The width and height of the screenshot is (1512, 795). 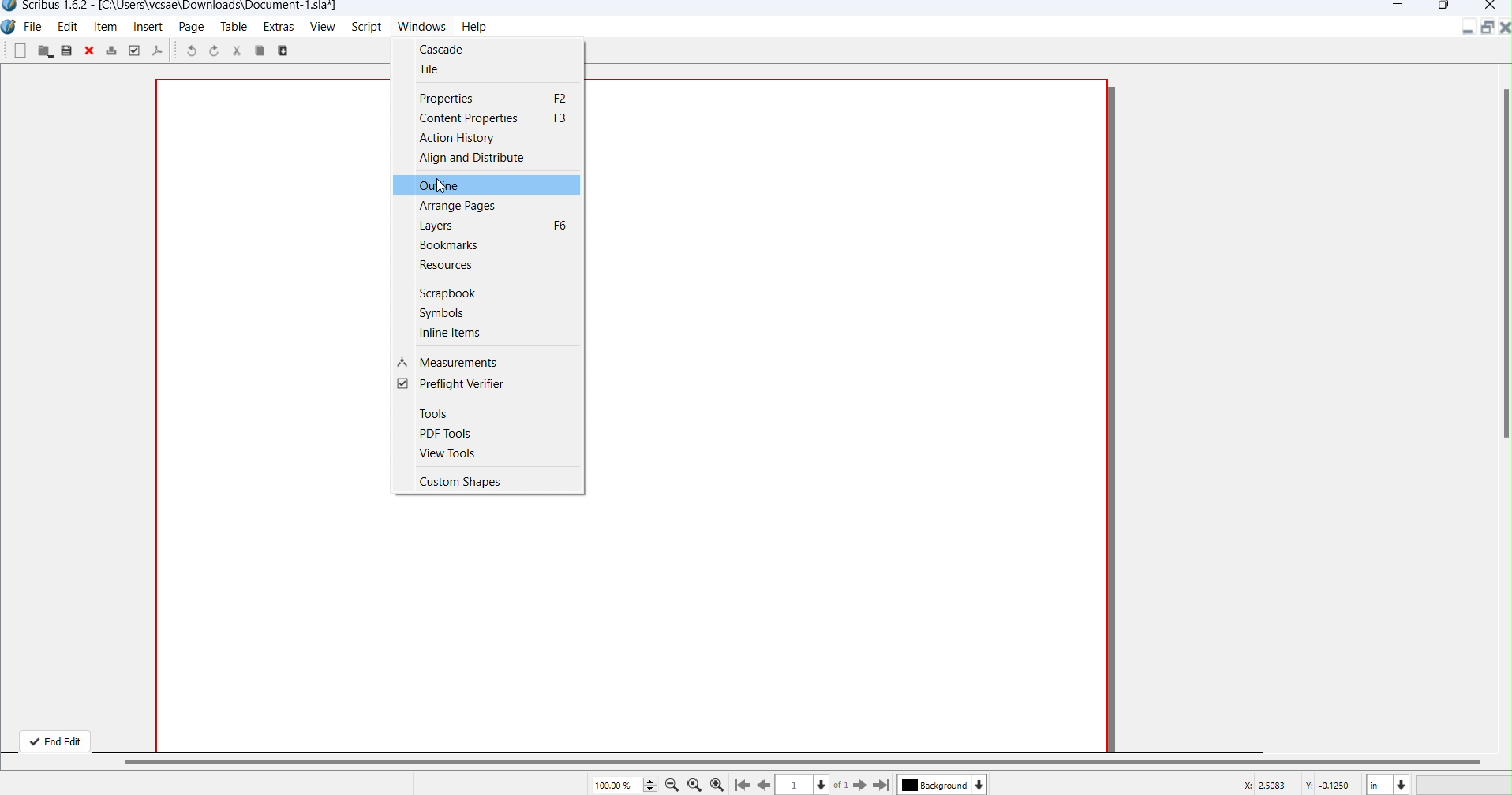 What do you see at coordinates (441, 188) in the screenshot?
I see `cursor` at bounding box center [441, 188].